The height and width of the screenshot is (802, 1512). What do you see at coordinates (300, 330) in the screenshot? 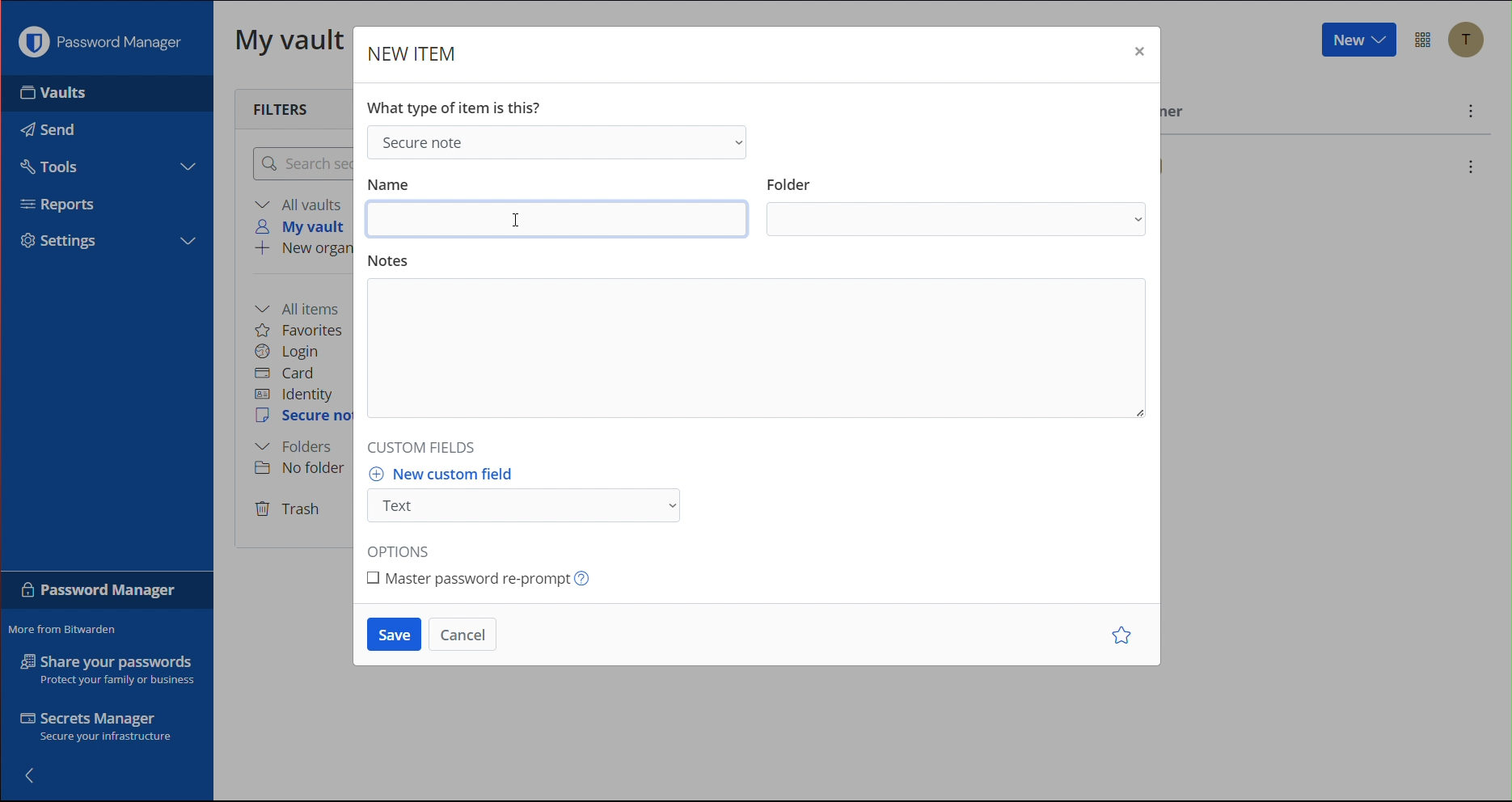
I see `Favorites` at bounding box center [300, 330].